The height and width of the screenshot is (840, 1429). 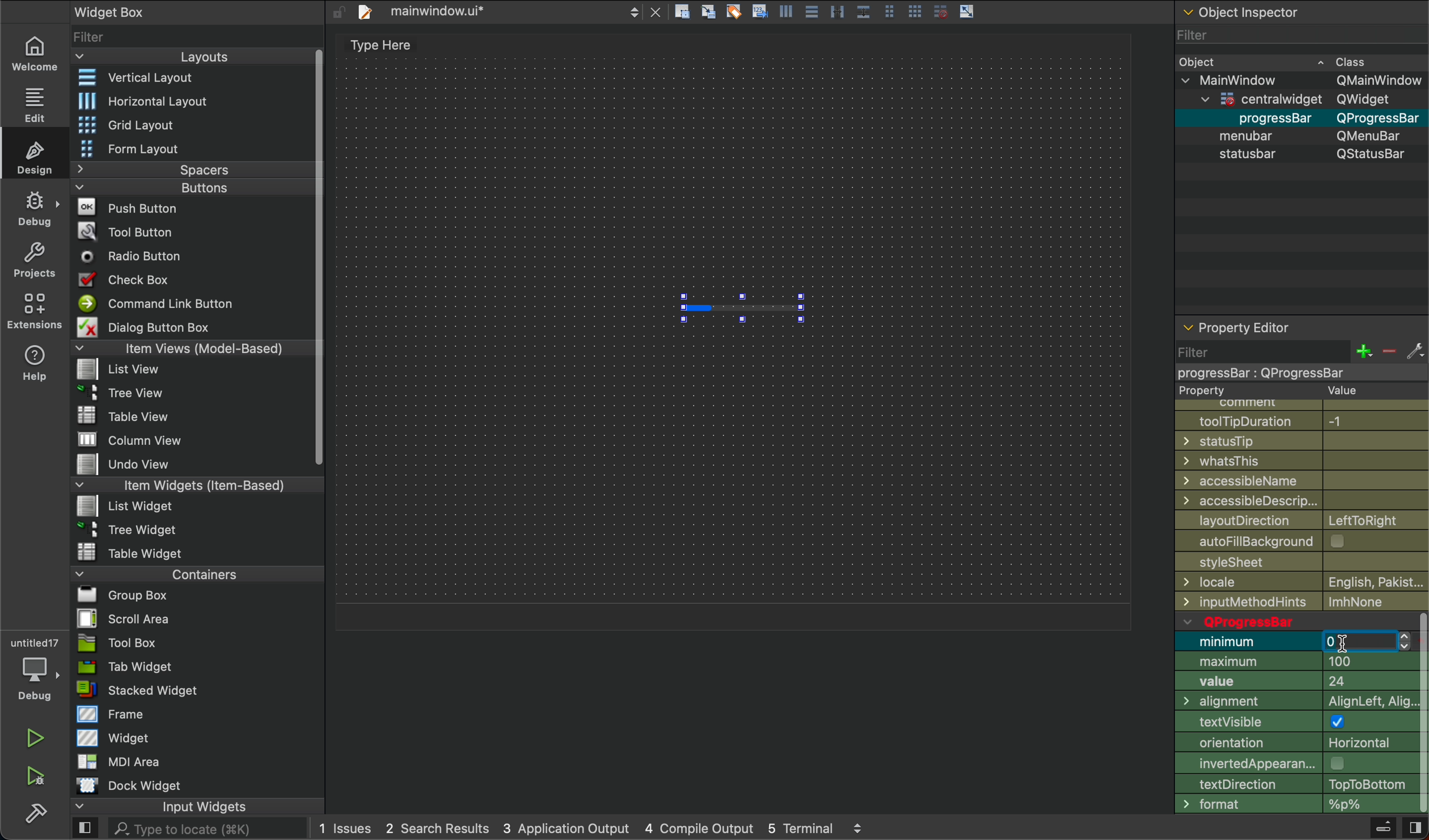 What do you see at coordinates (1300, 12) in the screenshot?
I see `object inspector` at bounding box center [1300, 12].